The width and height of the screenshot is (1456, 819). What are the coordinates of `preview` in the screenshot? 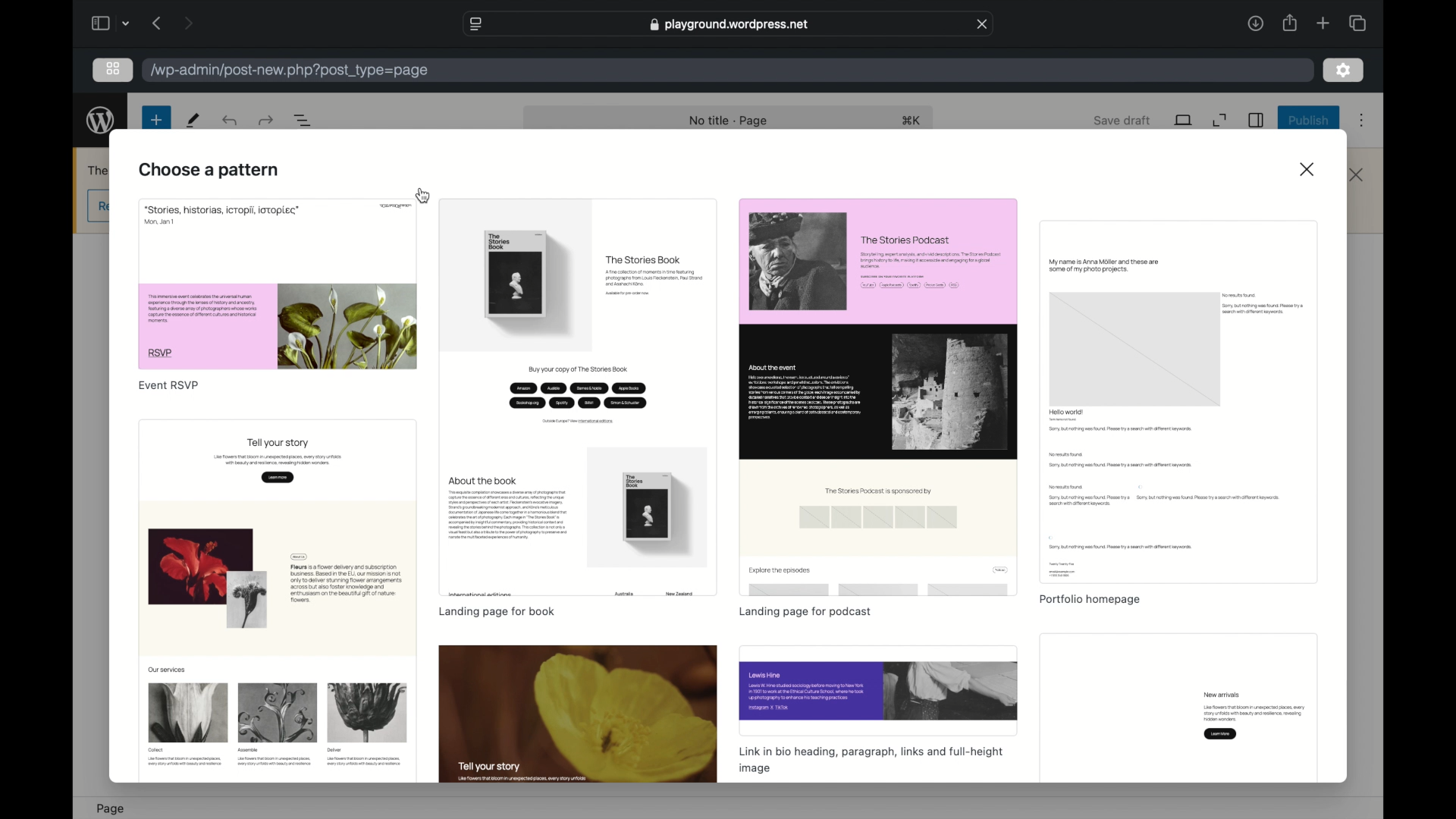 It's located at (1180, 402).